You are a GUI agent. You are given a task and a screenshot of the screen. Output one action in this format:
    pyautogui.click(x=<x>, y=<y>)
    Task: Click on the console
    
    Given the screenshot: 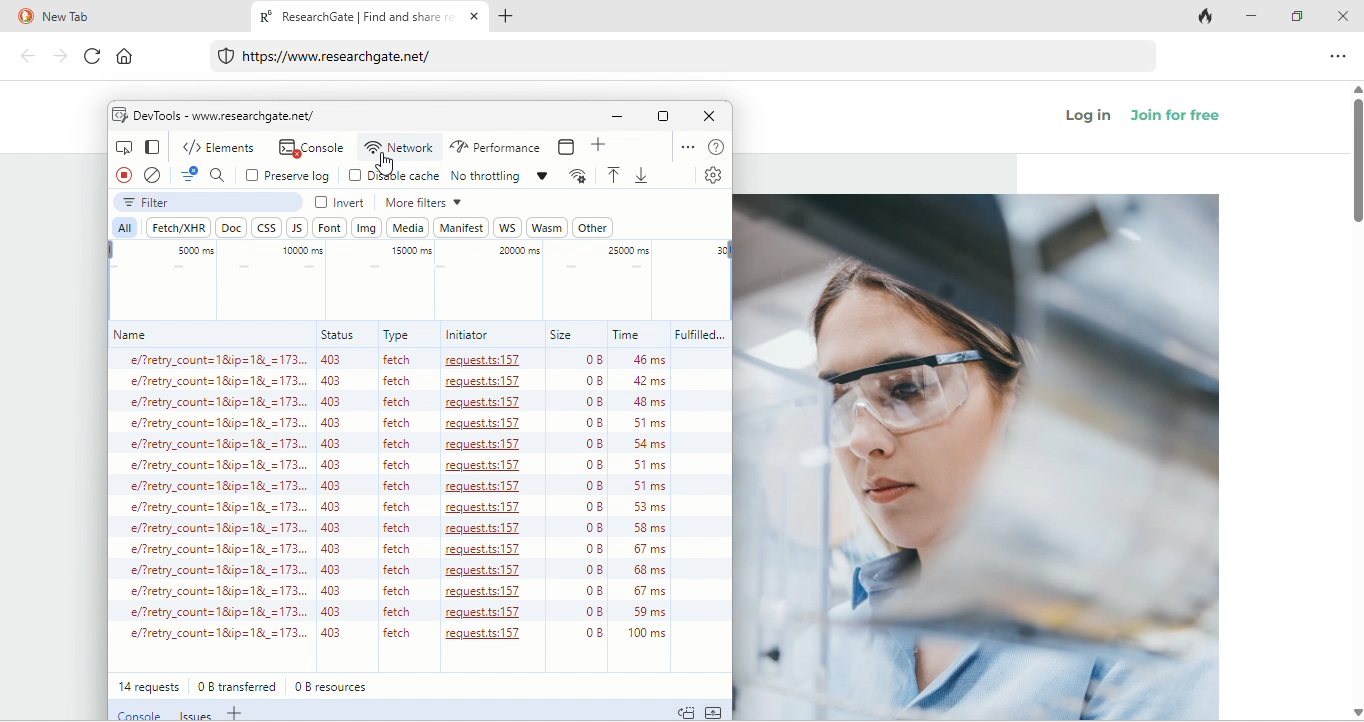 What is the action you would take?
    pyautogui.click(x=310, y=147)
    